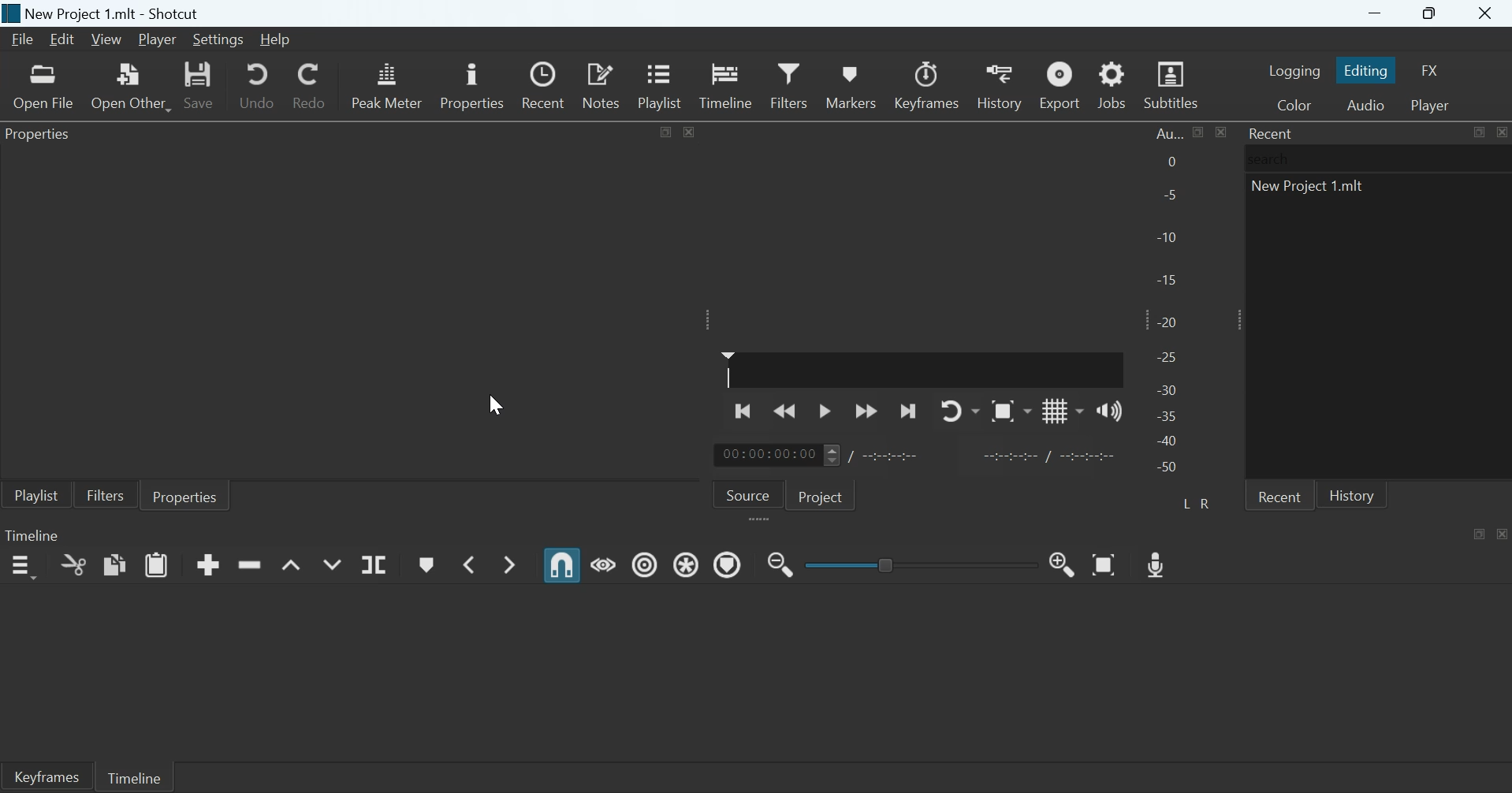 The image size is (1512, 793). I want to click on Maximize, so click(1199, 132).